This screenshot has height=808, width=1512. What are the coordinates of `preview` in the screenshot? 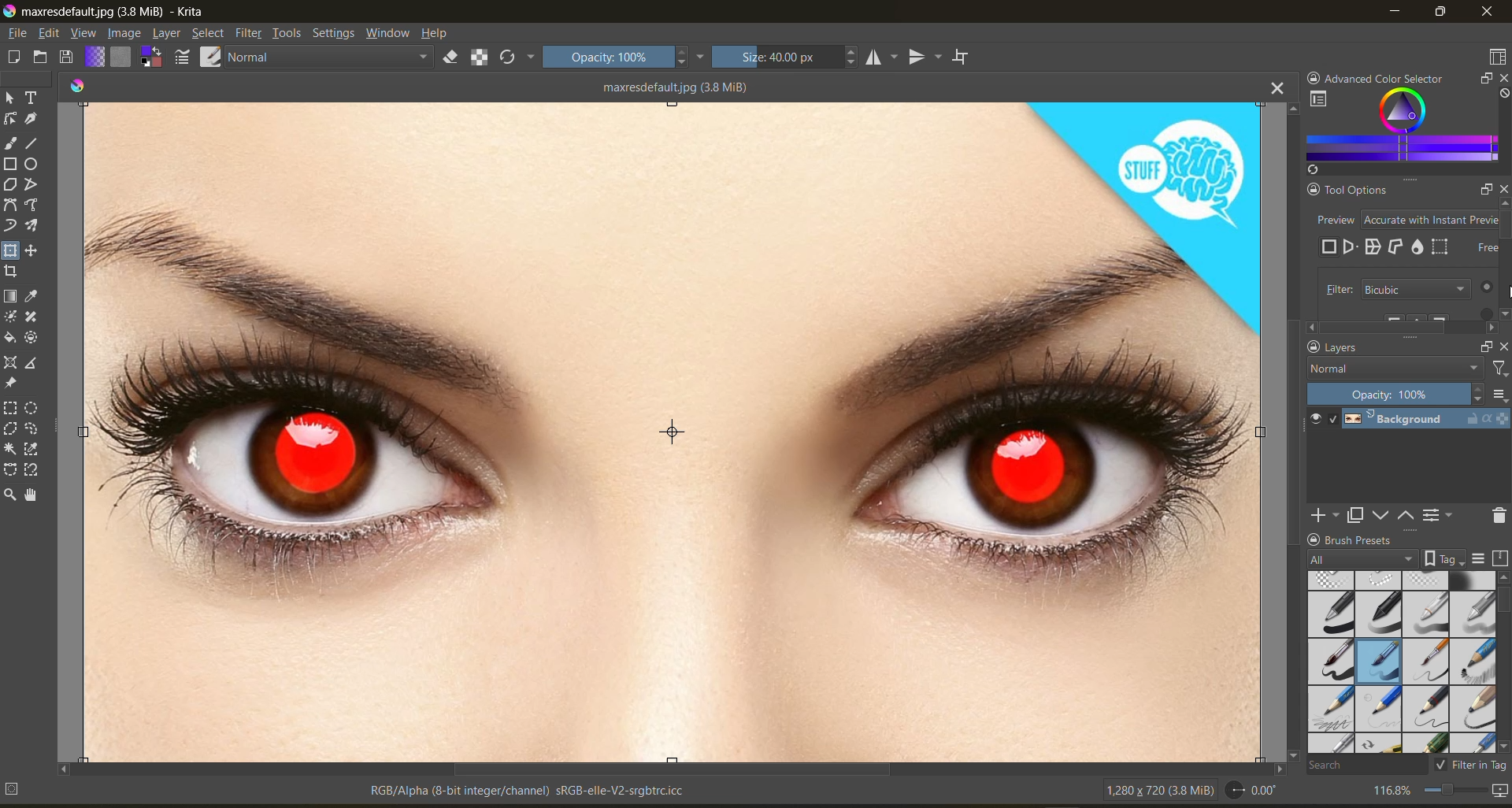 It's located at (1350, 246).